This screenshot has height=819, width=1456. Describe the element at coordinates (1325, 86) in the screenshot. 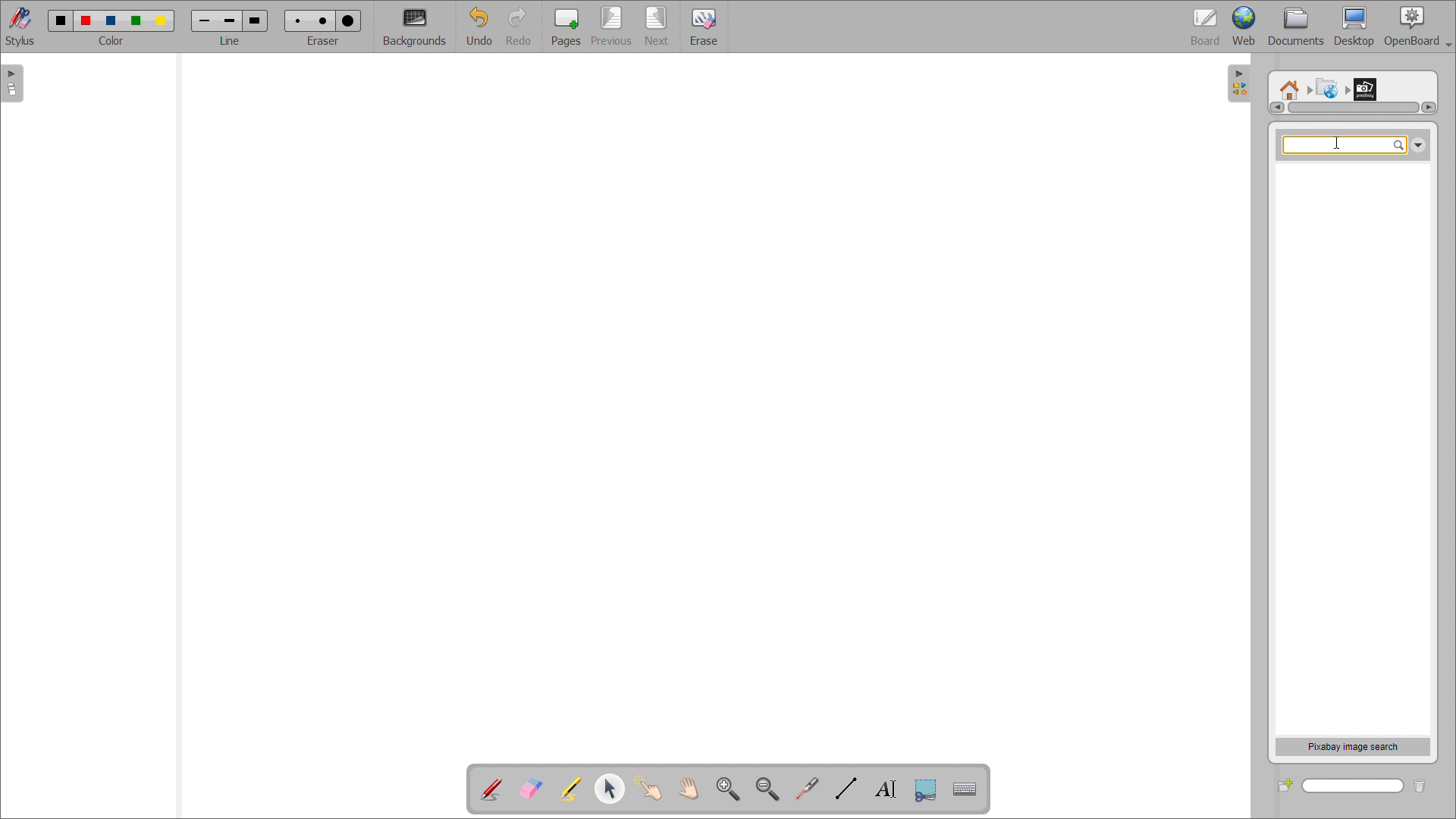

I see `Web search` at that location.